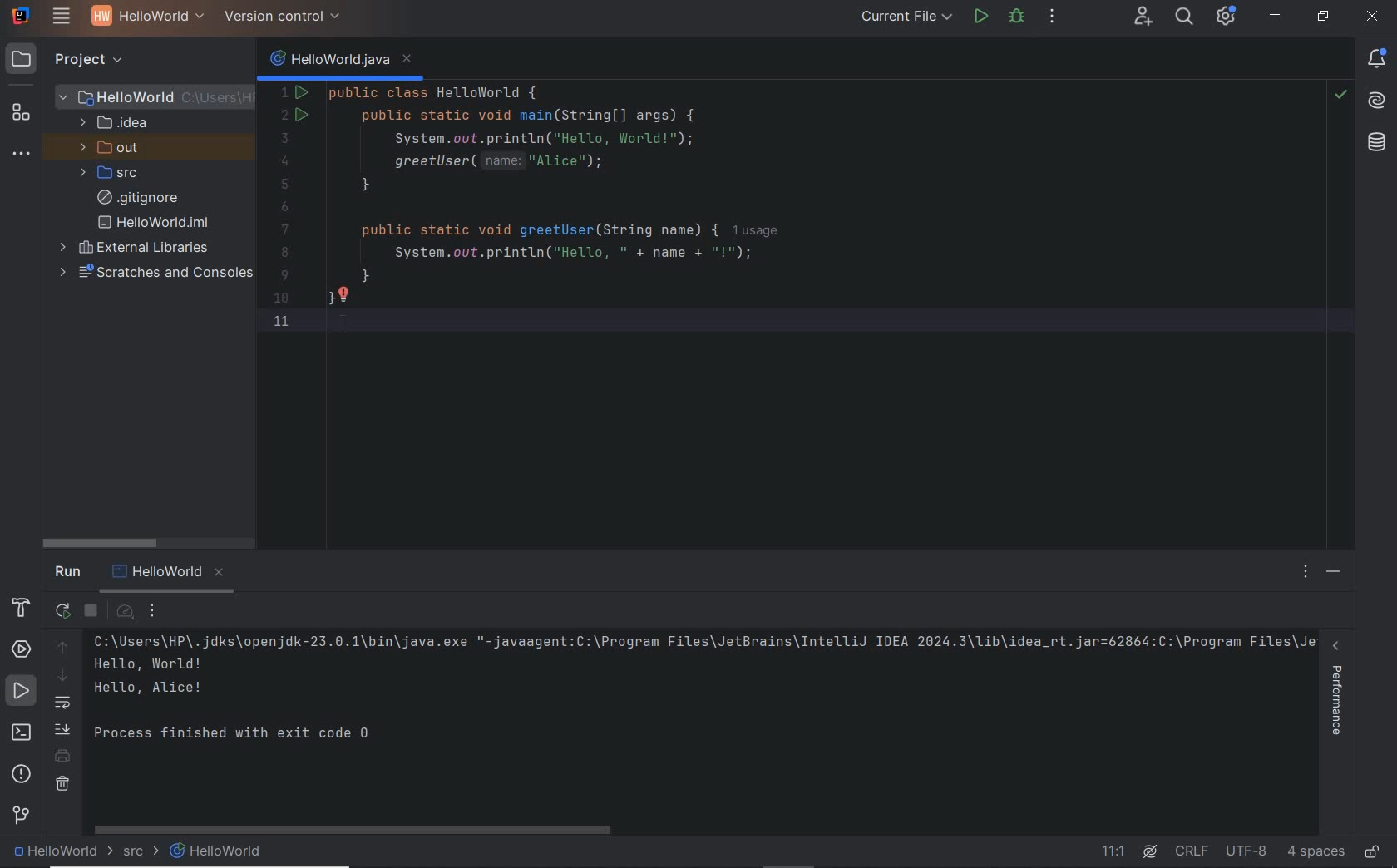  Describe the element at coordinates (1340, 697) in the screenshot. I see `performance` at that location.